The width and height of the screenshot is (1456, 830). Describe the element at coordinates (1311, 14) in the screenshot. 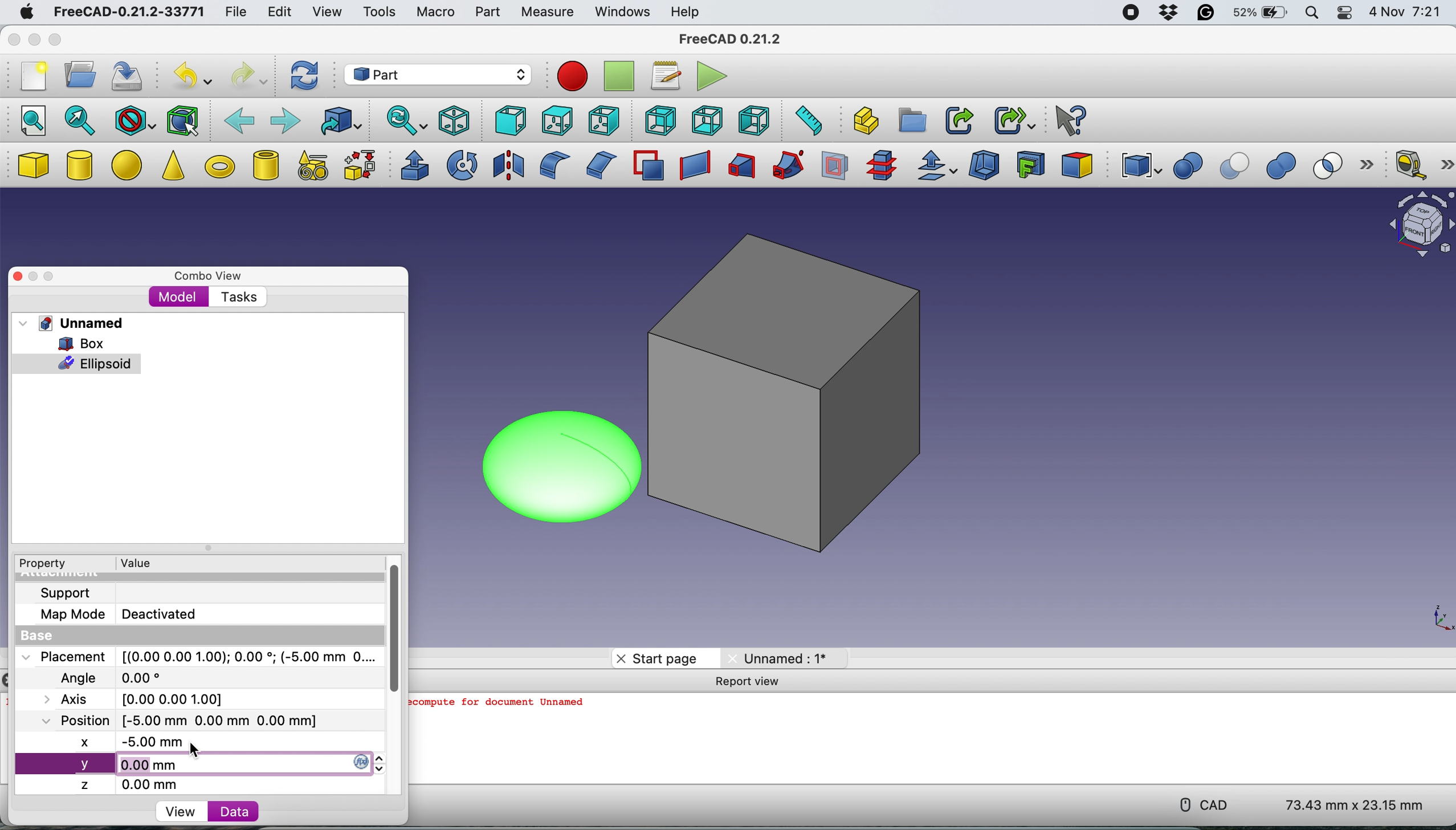

I see `spotlight search` at that location.